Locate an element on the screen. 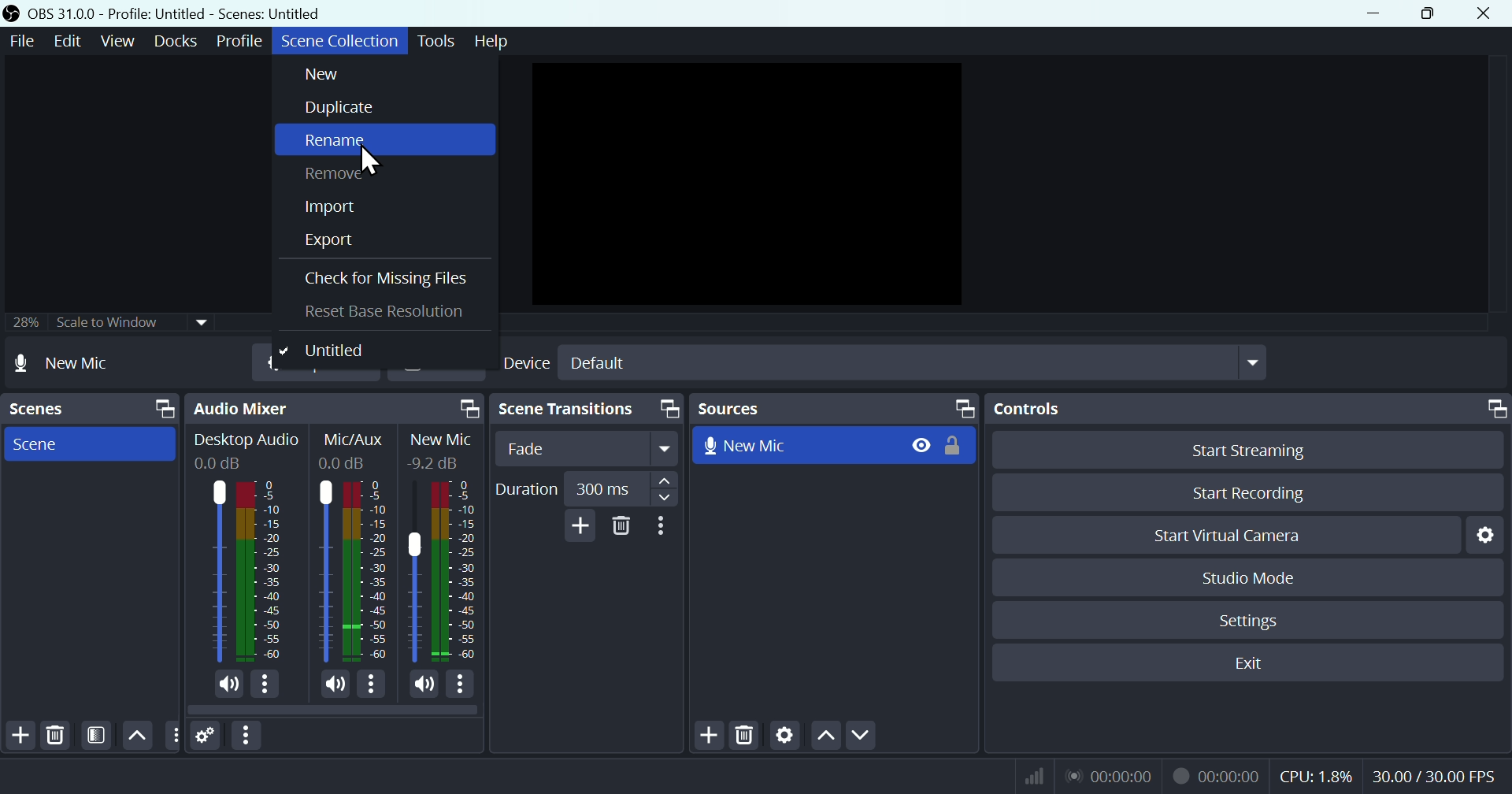 This screenshot has width=1512, height=794. Remove is located at coordinates (343, 175).